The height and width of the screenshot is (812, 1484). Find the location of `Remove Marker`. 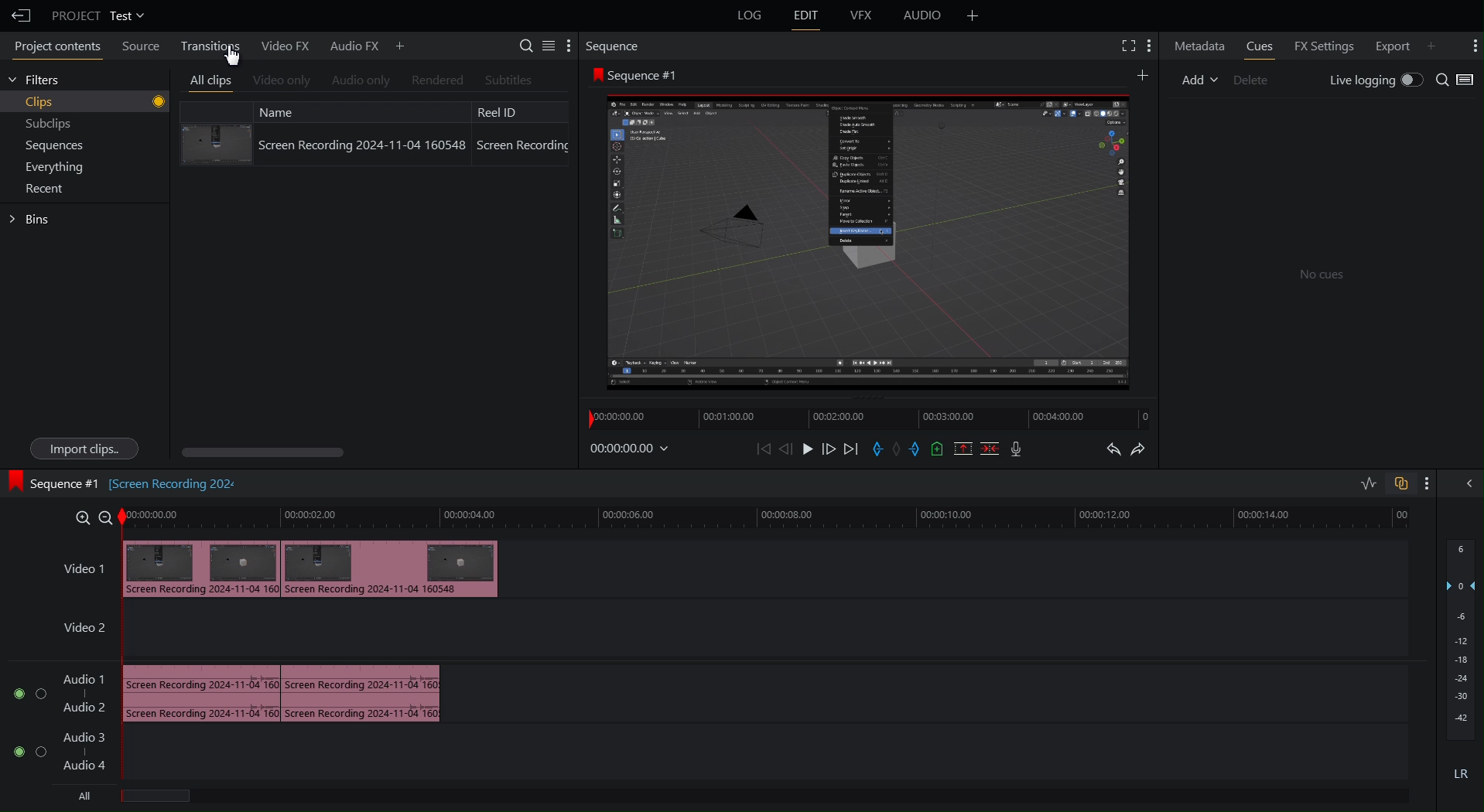

Remove Marker is located at coordinates (899, 449).